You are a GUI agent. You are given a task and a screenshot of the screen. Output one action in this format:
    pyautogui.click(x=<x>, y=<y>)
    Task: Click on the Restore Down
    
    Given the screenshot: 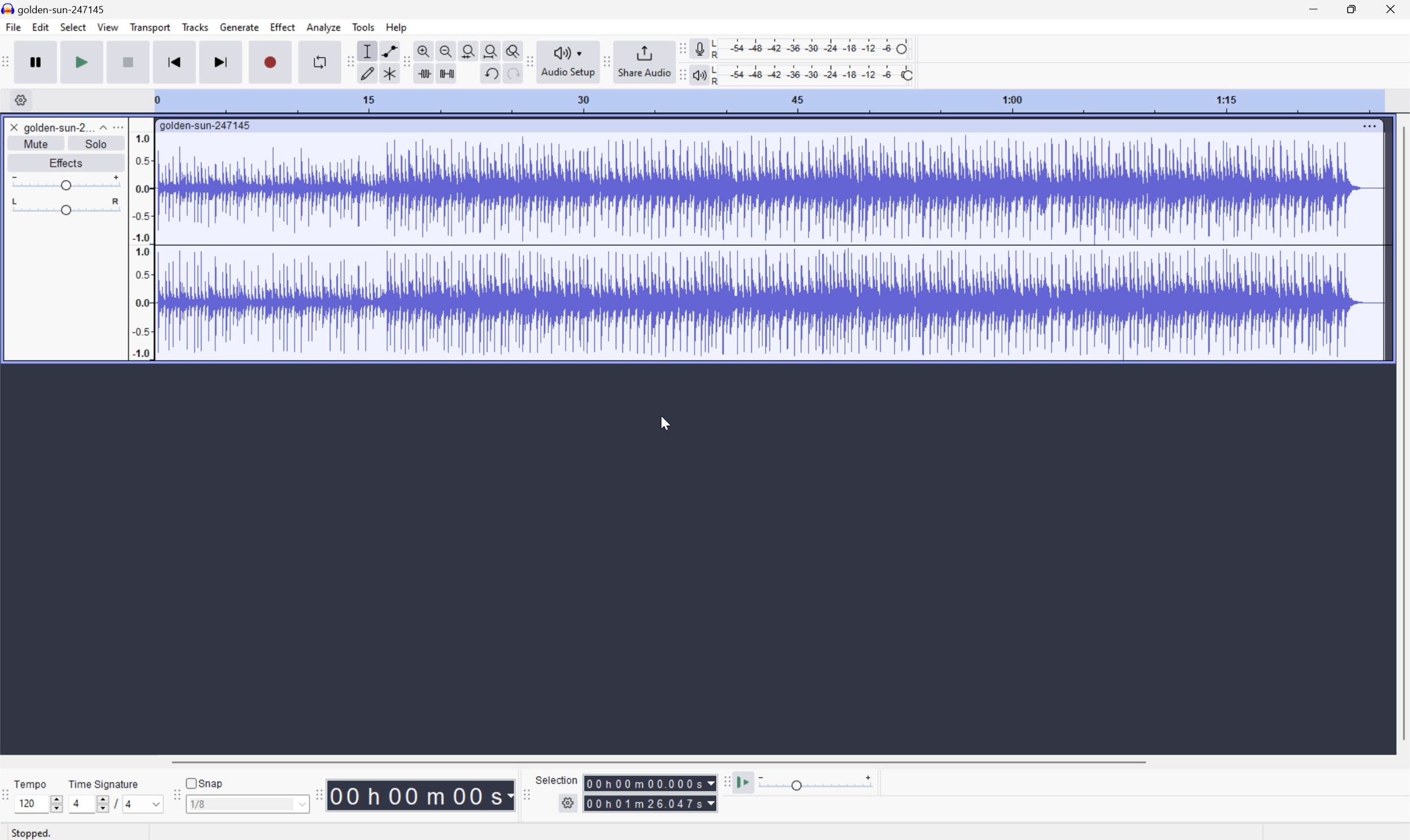 What is the action you would take?
    pyautogui.click(x=1351, y=9)
    